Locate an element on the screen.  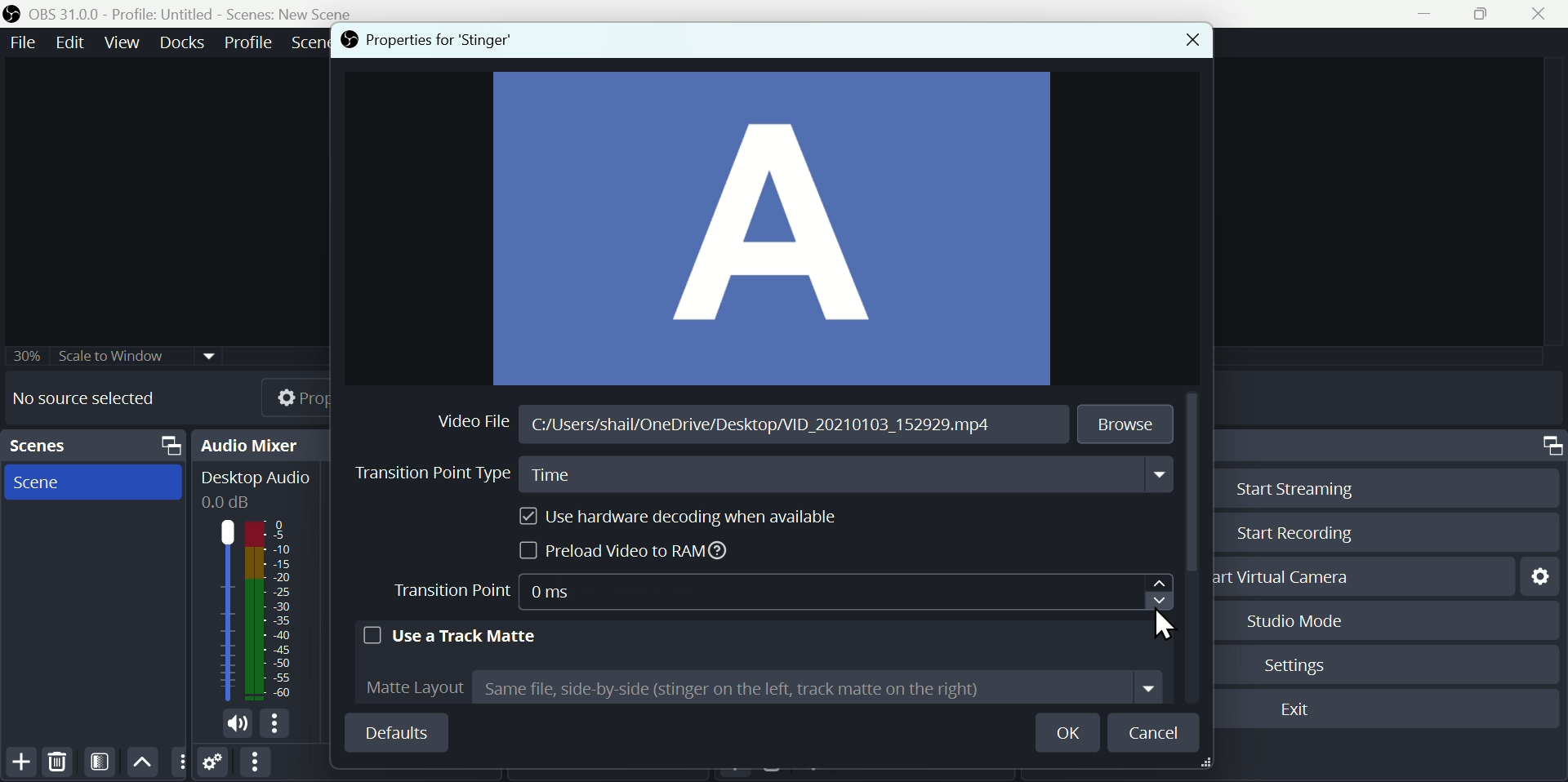
more option is located at coordinates (180, 762).